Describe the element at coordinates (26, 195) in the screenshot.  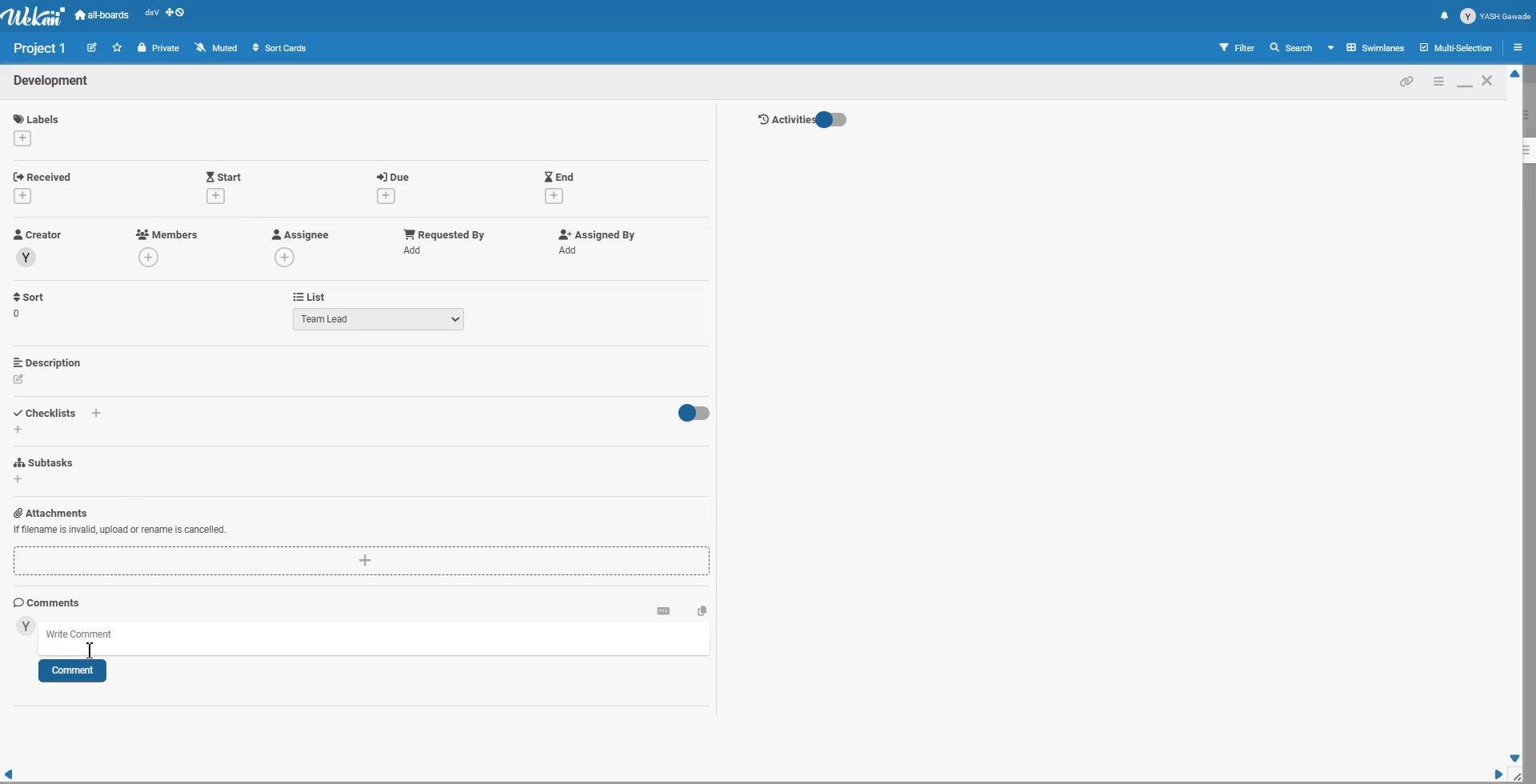
I see `add` at that location.